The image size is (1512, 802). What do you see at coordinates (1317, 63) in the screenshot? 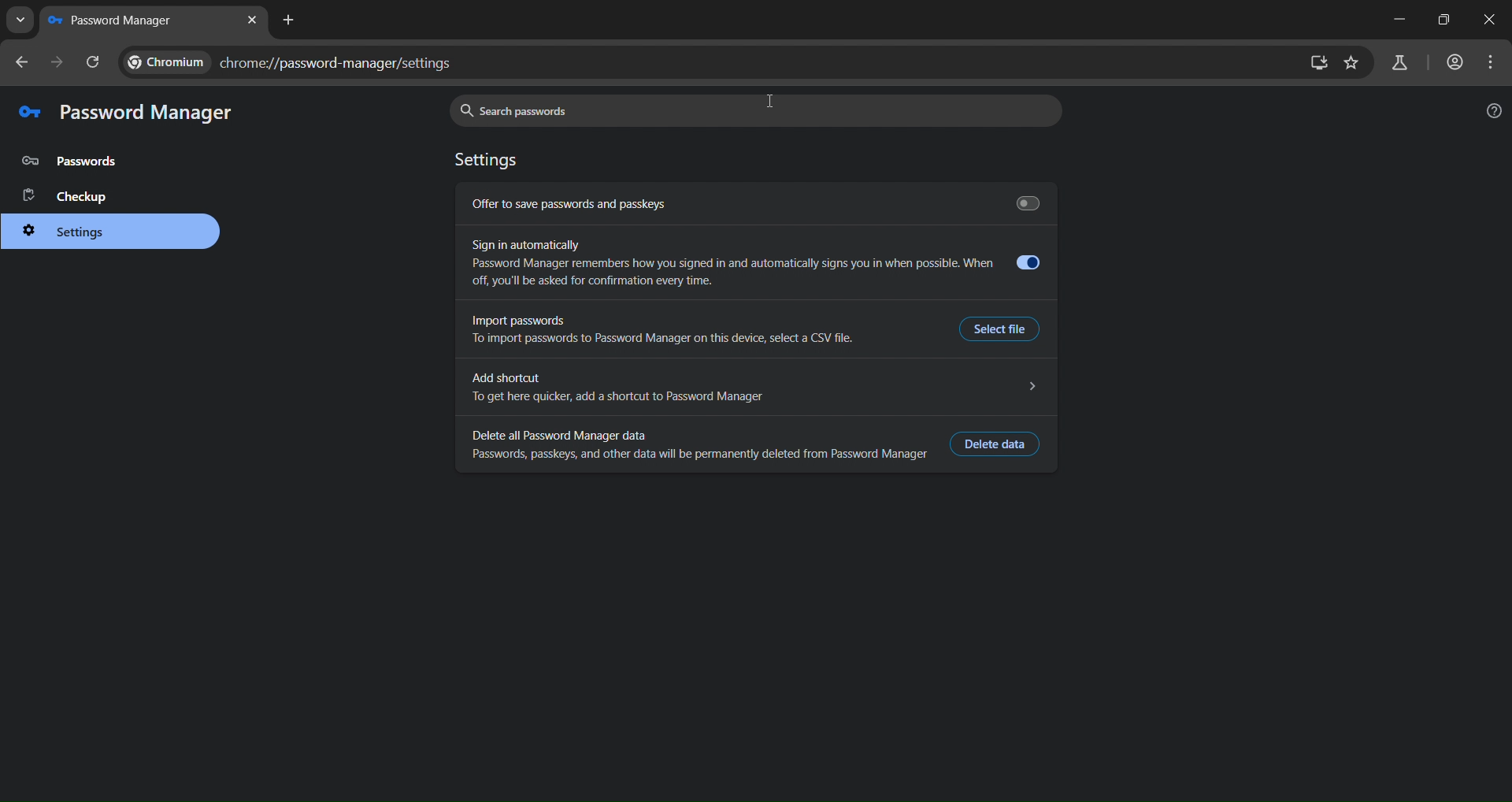
I see `install app` at bounding box center [1317, 63].